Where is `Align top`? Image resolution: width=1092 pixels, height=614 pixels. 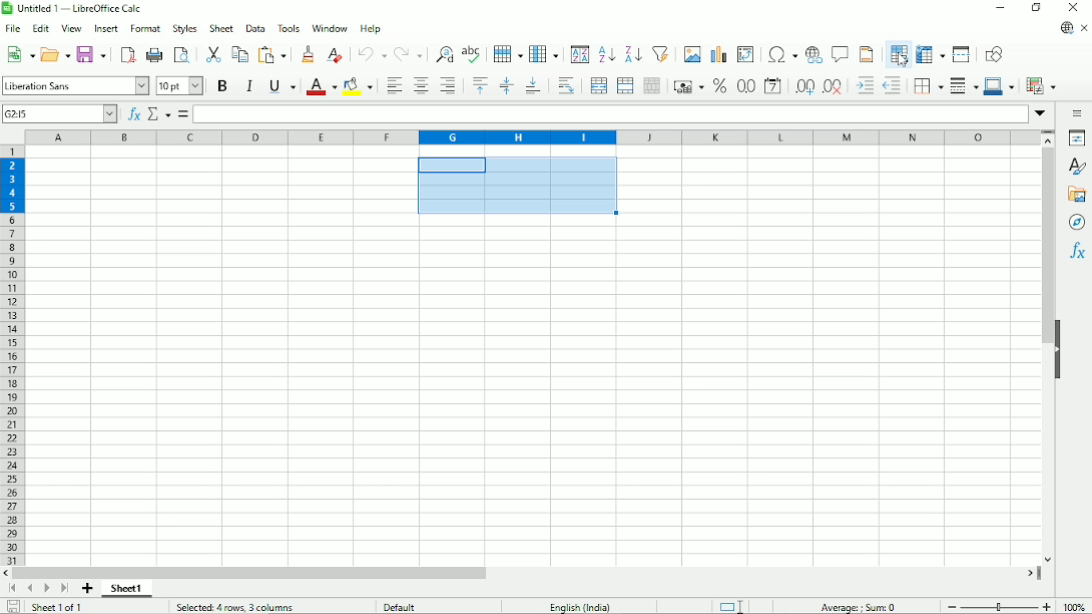 Align top is located at coordinates (480, 86).